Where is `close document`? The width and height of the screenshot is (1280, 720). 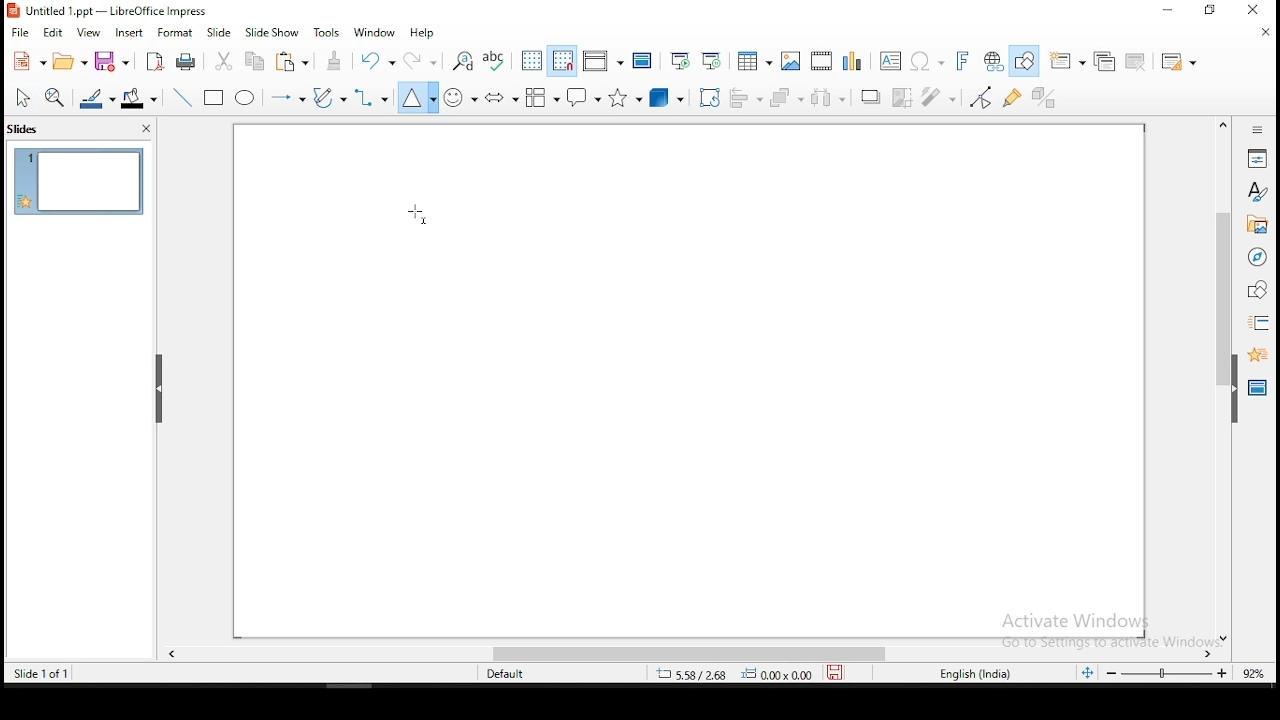
close document is located at coordinates (1267, 32).